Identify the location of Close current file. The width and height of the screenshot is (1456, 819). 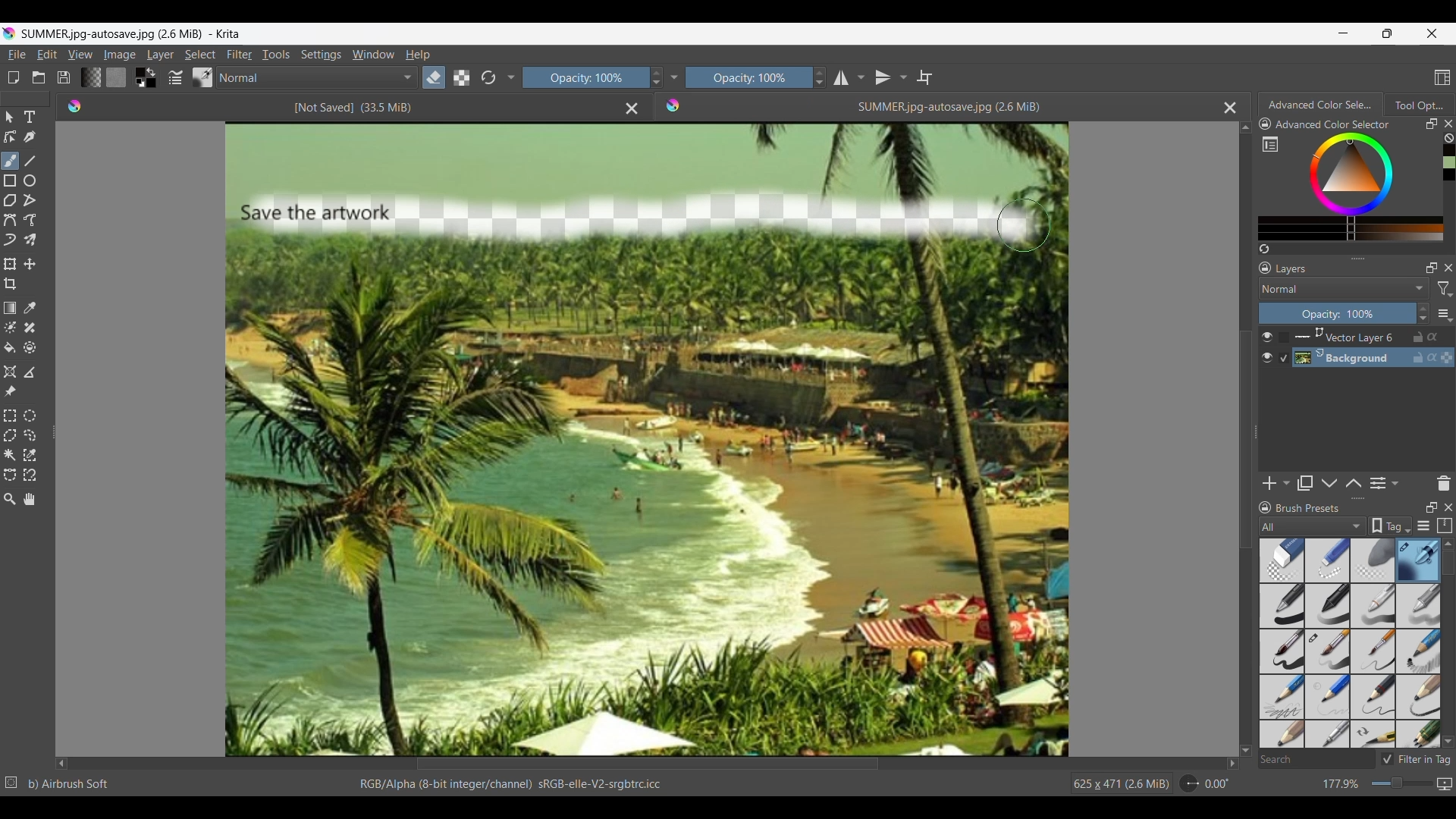
(1231, 108).